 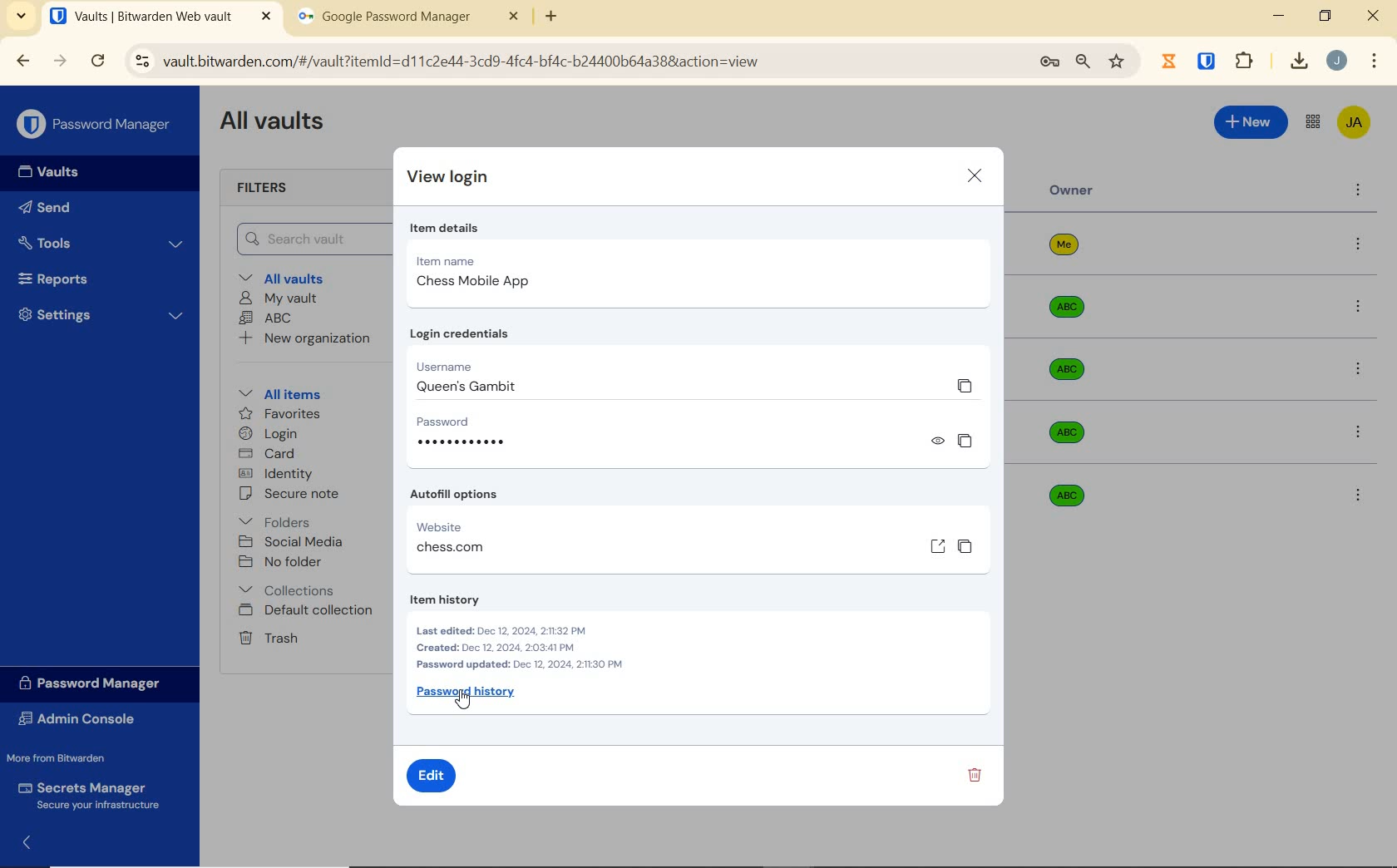 I want to click on ABC, so click(x=268, y=318).